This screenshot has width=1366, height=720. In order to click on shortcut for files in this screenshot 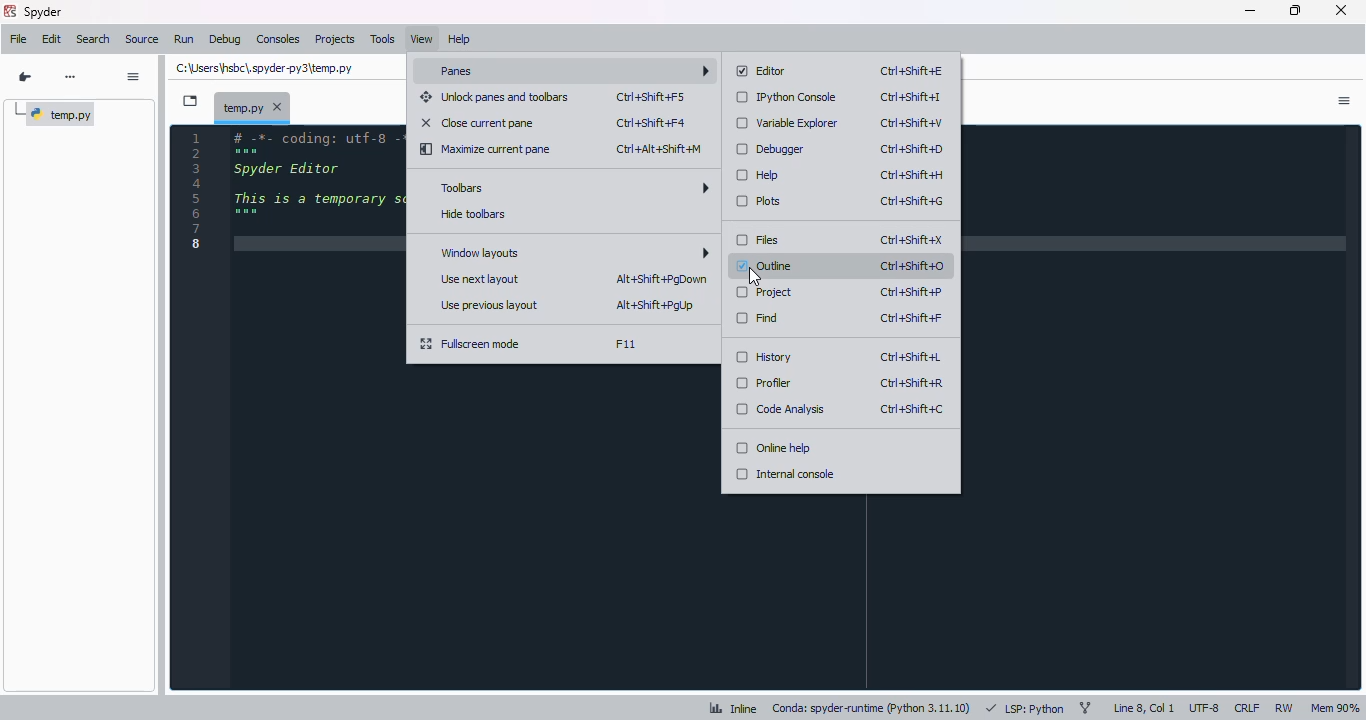, I will do `click(911, 241)`.